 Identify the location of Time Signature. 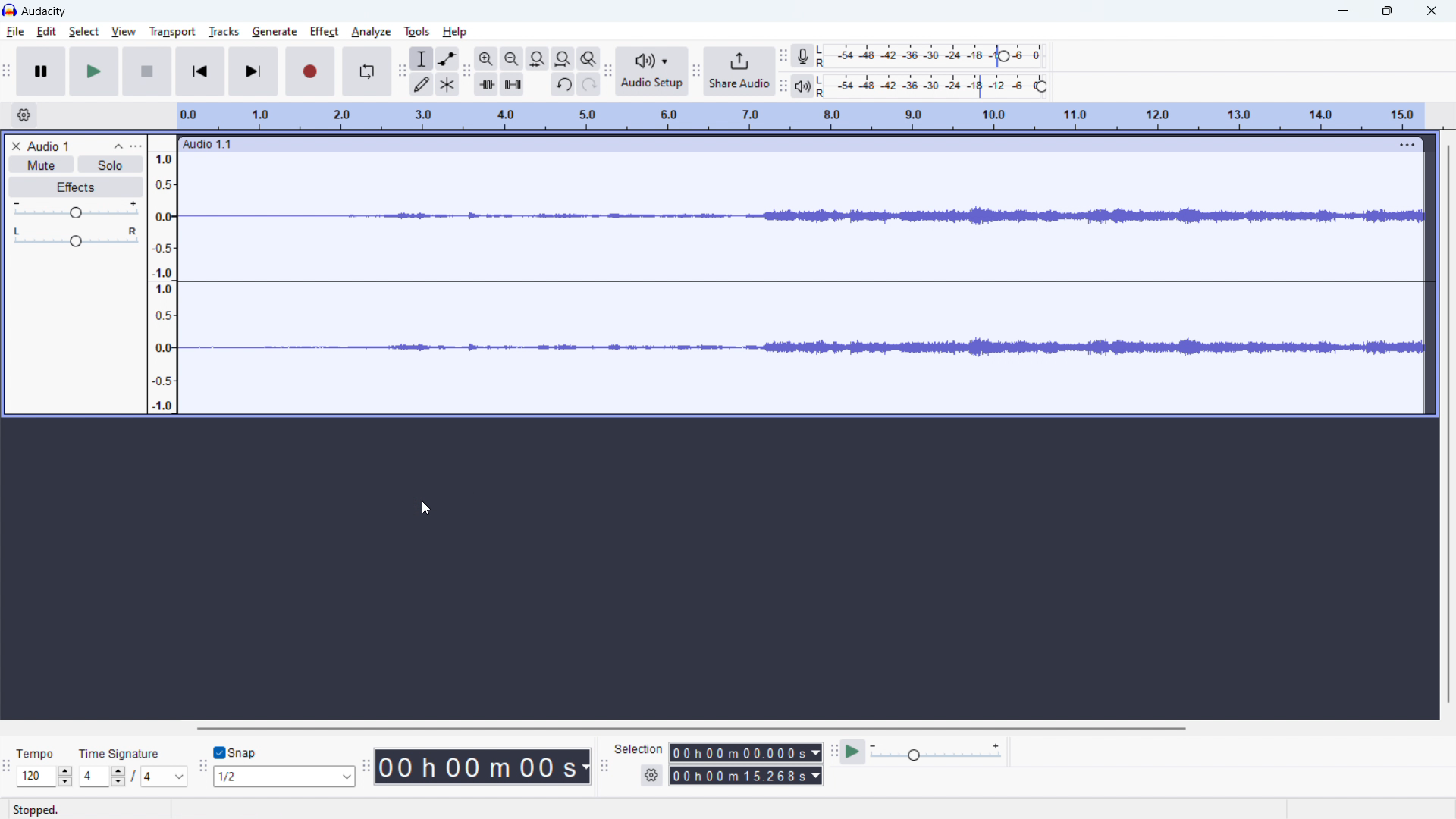
(124, 750).